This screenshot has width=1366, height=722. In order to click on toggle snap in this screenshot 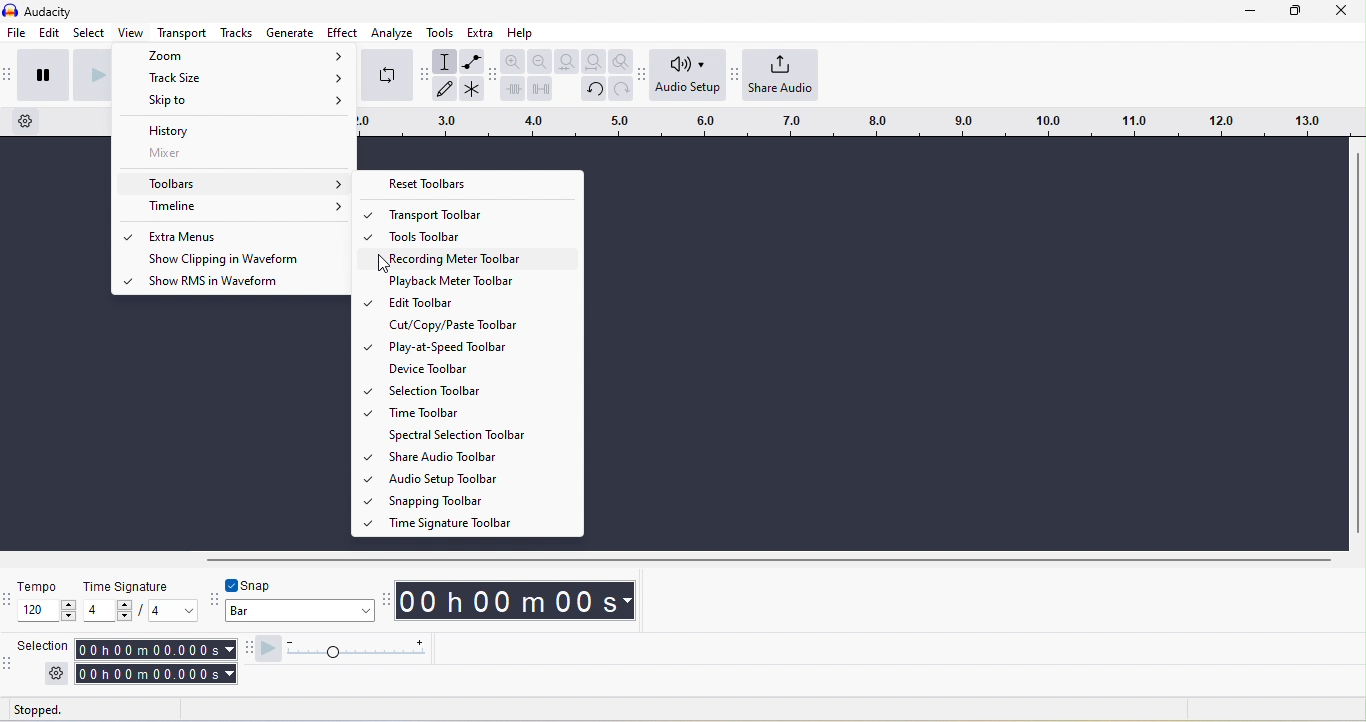, I will do `click(250, 585)`.